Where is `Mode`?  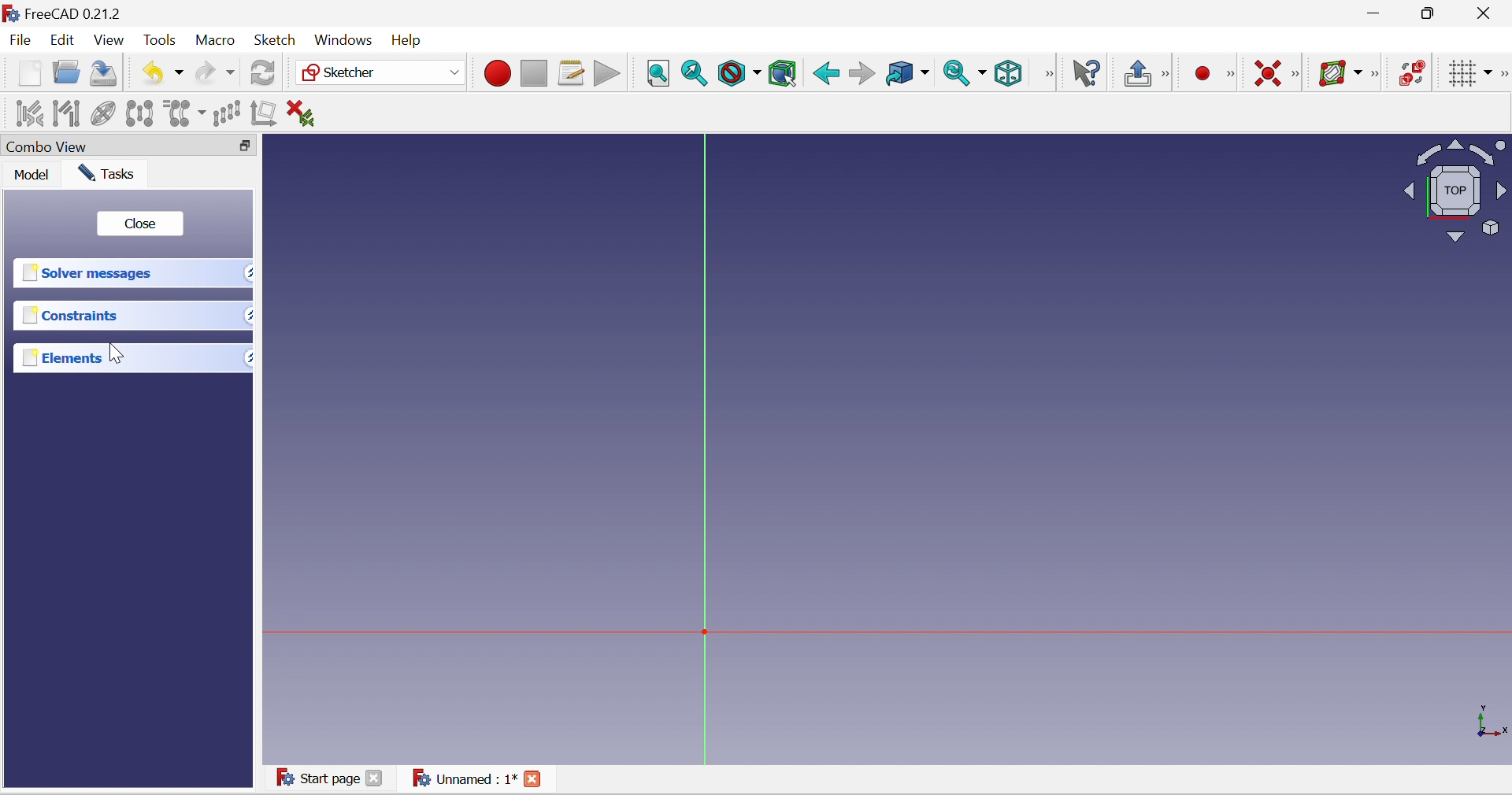 Mode is located at coordinates (31, 175).